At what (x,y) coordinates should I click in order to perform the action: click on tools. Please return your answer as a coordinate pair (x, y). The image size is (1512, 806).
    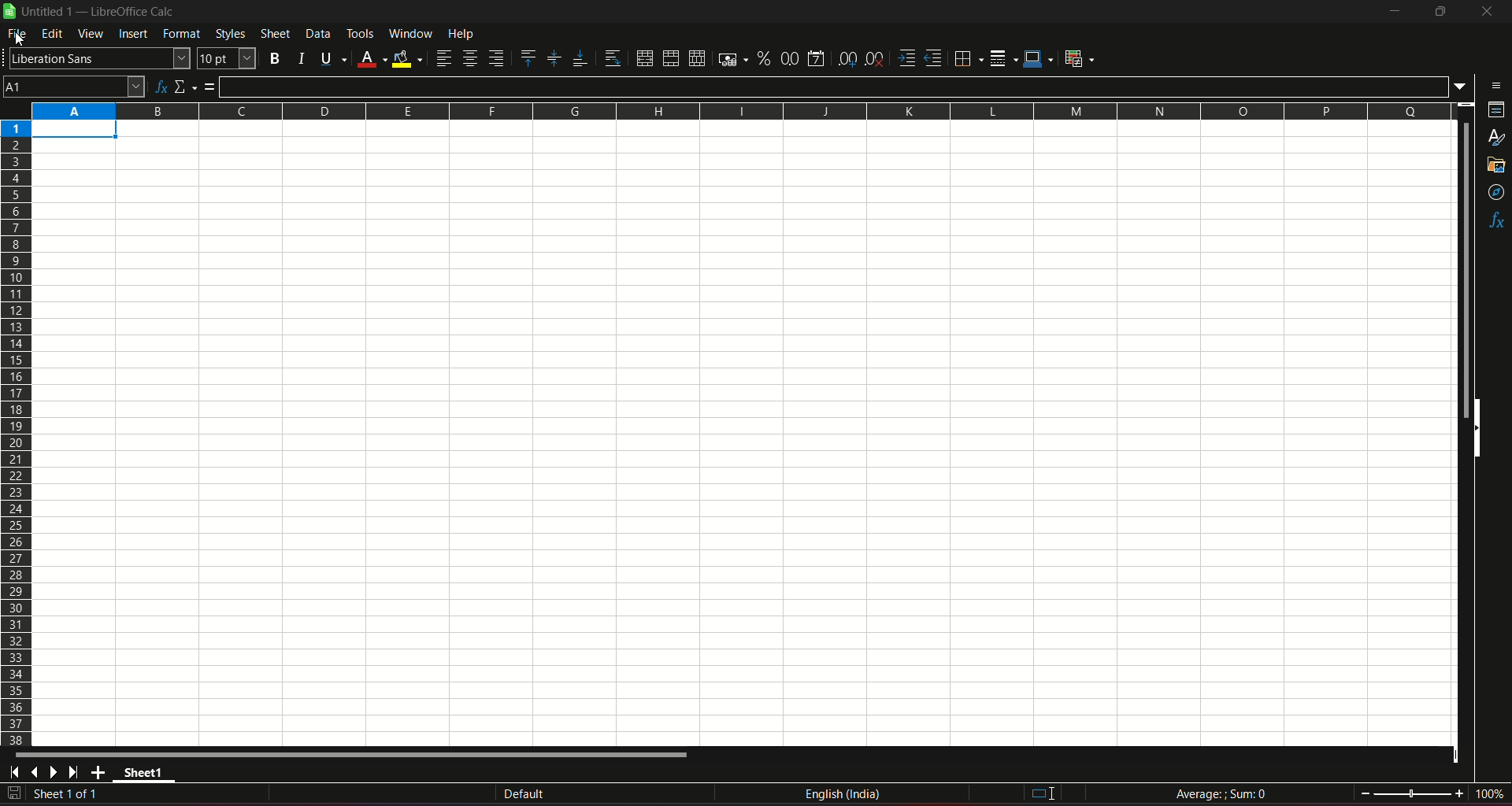
    Looking at the image, I should click on (361, 33).